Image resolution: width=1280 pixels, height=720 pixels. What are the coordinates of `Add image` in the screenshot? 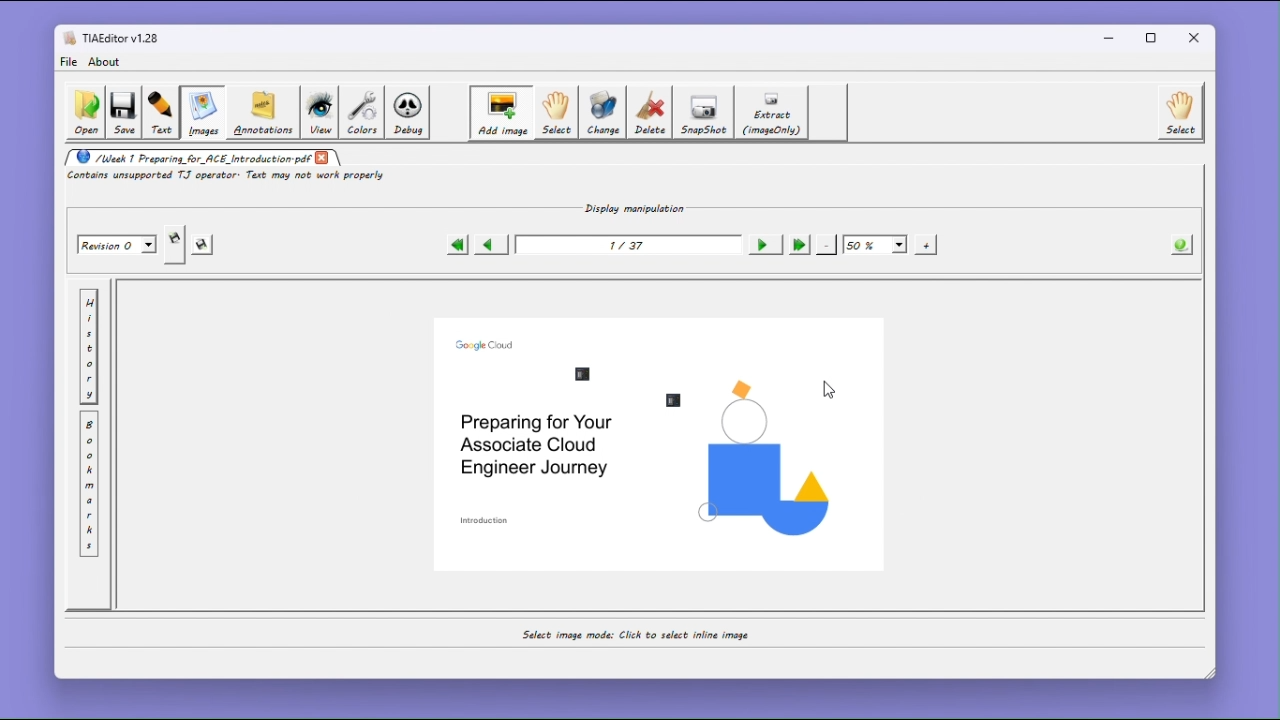 It's located at (500, 113).